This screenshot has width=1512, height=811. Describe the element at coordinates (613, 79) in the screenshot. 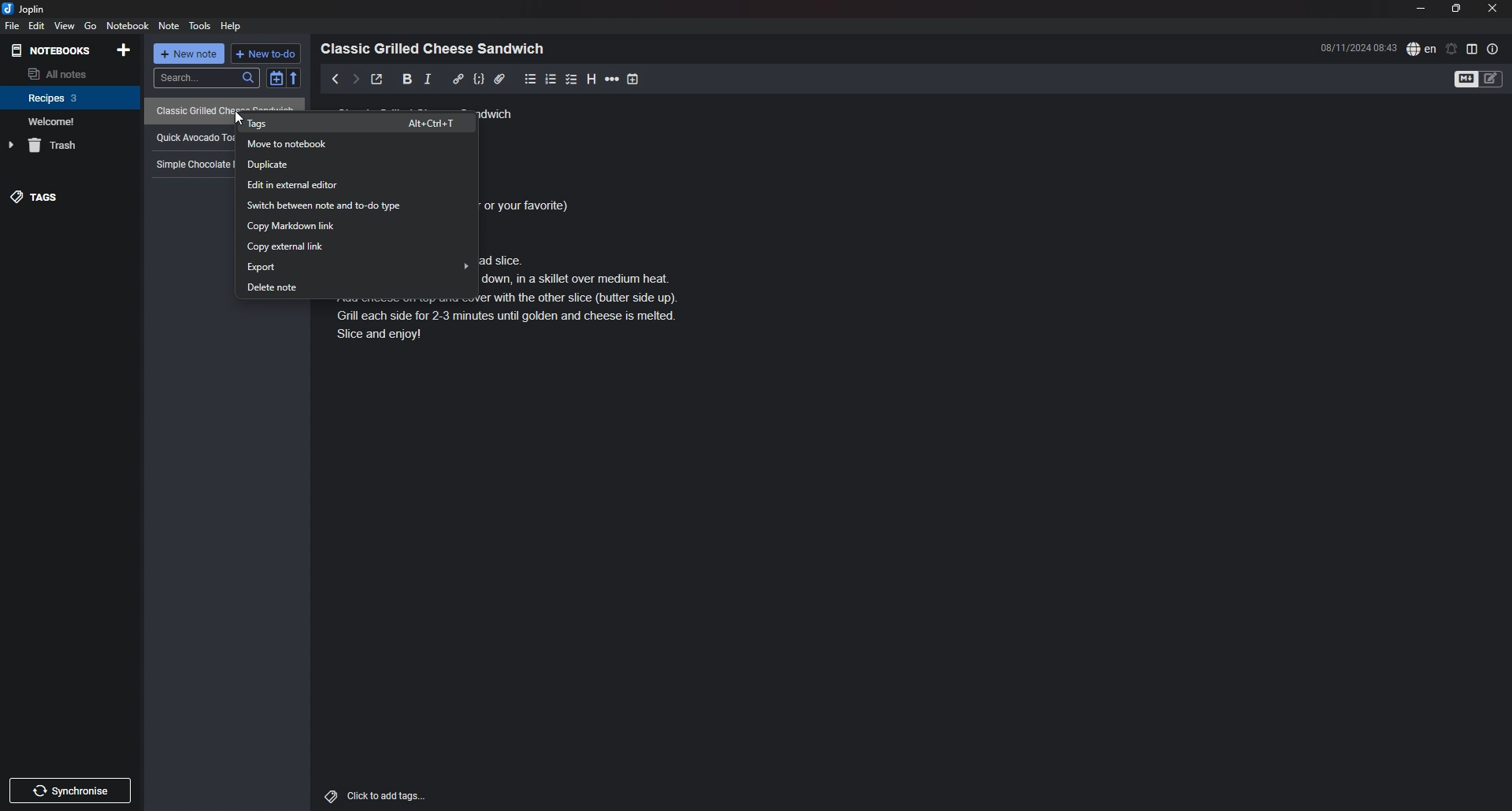

I see `horizontal rule` at that location.